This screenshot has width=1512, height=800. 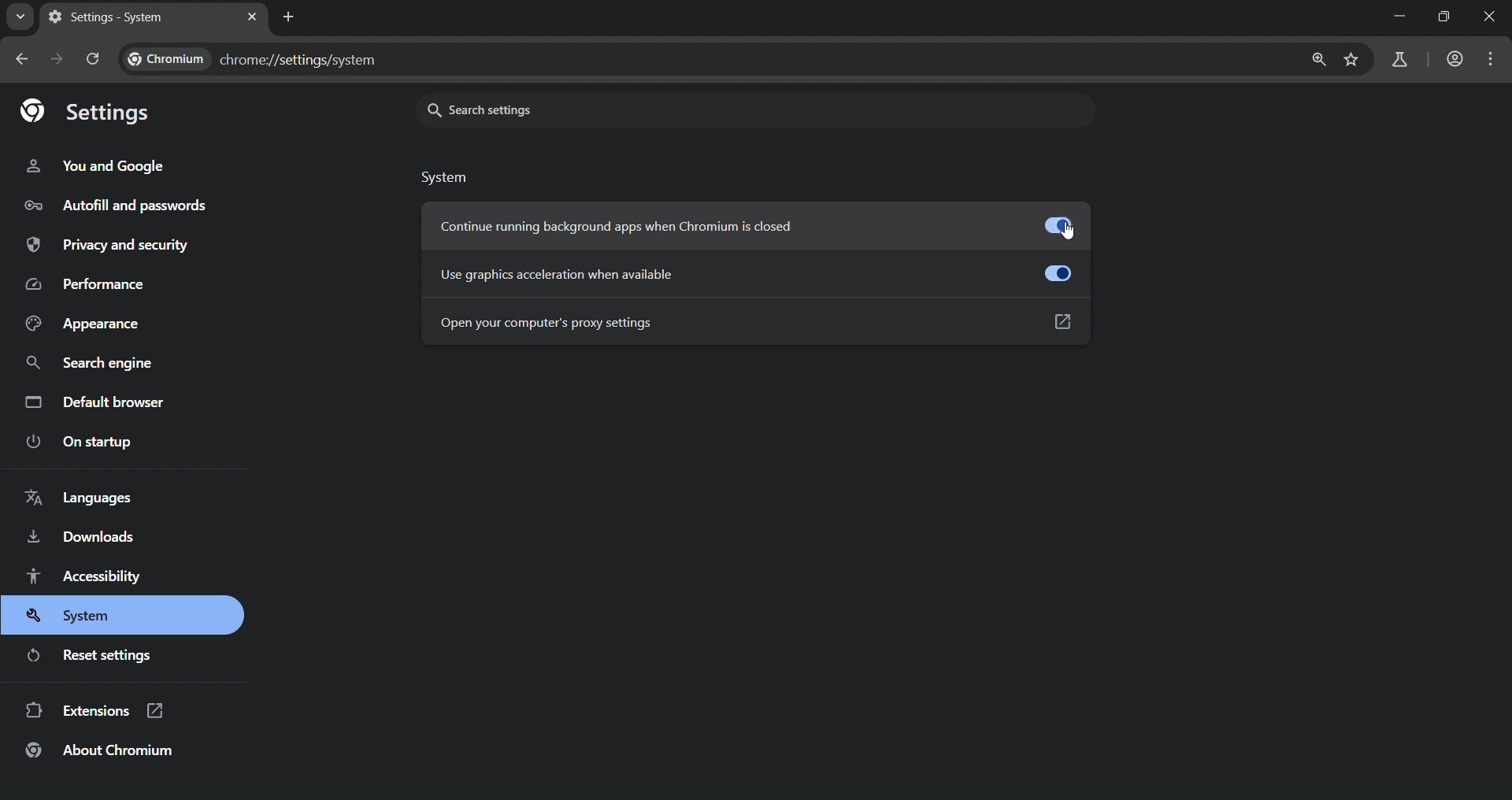 I want to click on reload page, so click(x=98, y=59).